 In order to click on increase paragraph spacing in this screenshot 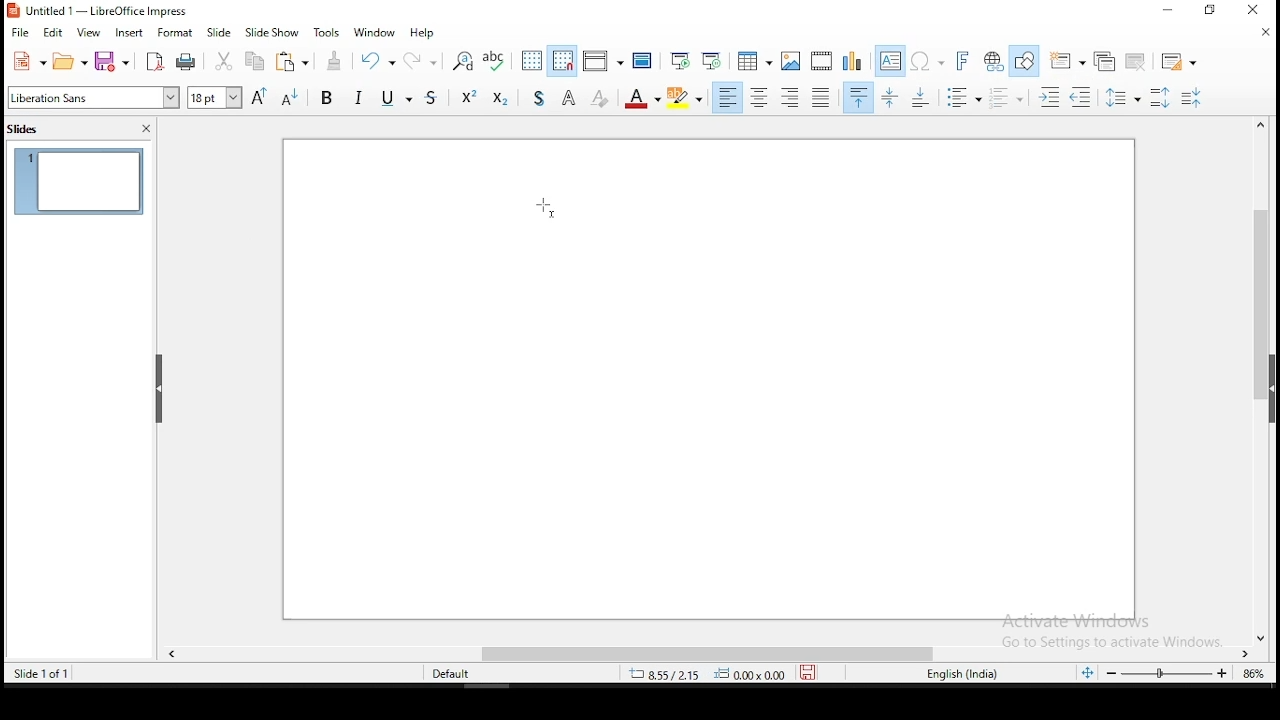, I will do `click(1163, 98)`.